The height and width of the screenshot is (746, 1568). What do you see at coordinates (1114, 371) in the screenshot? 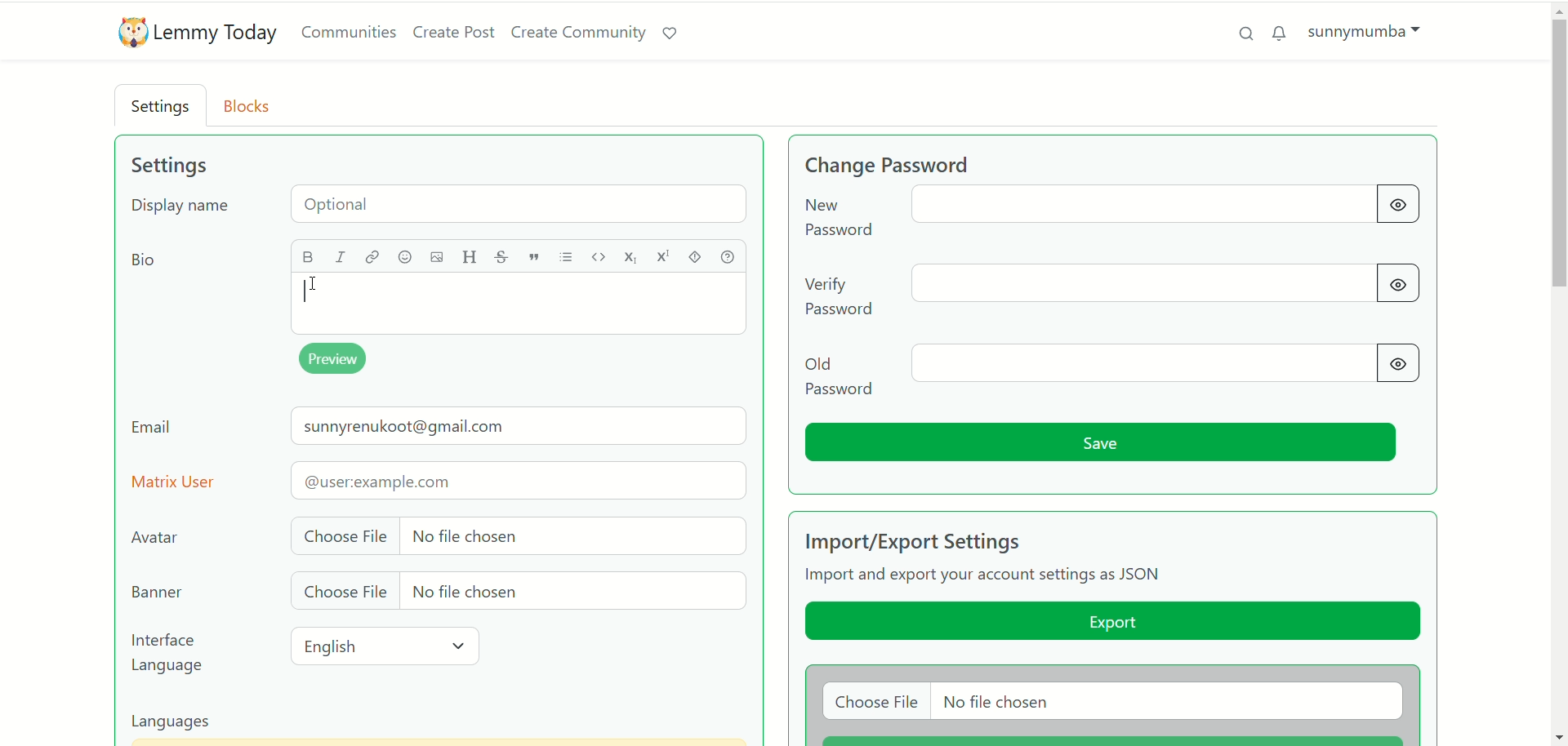
I see `old password` at bounding box center [1114, 371].